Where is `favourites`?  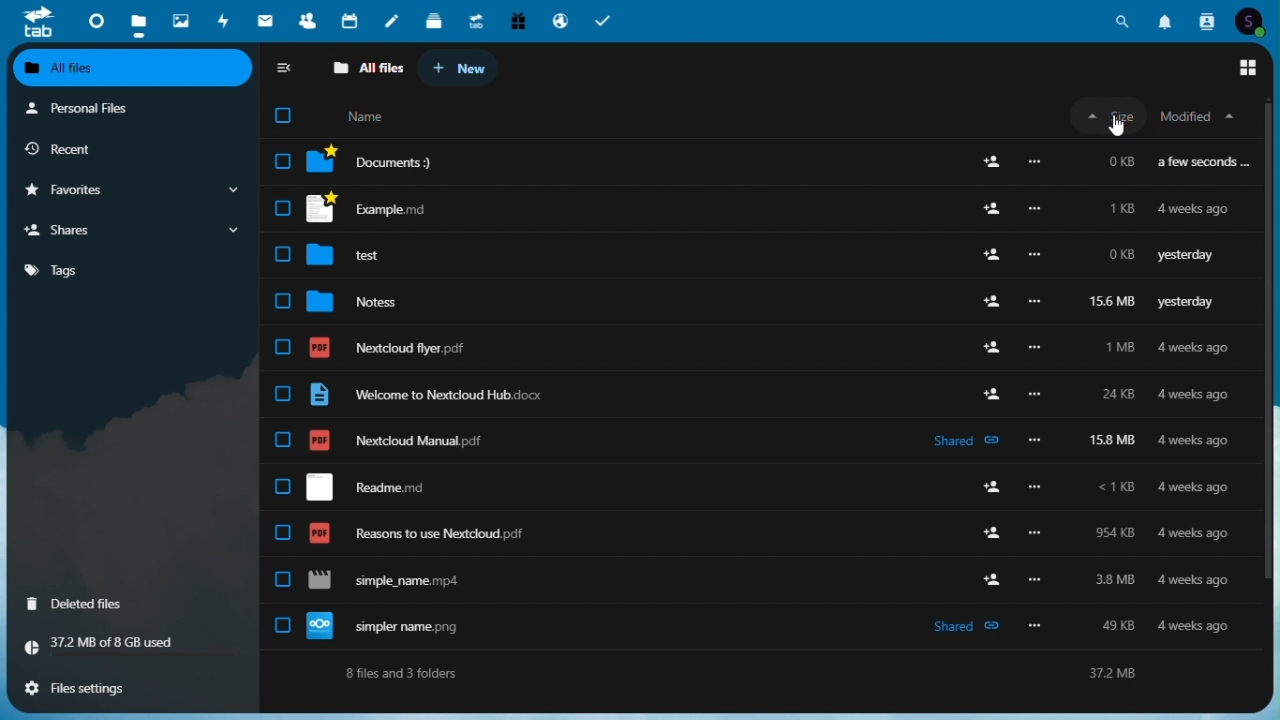
favourites is located at coordinates (128, 192).